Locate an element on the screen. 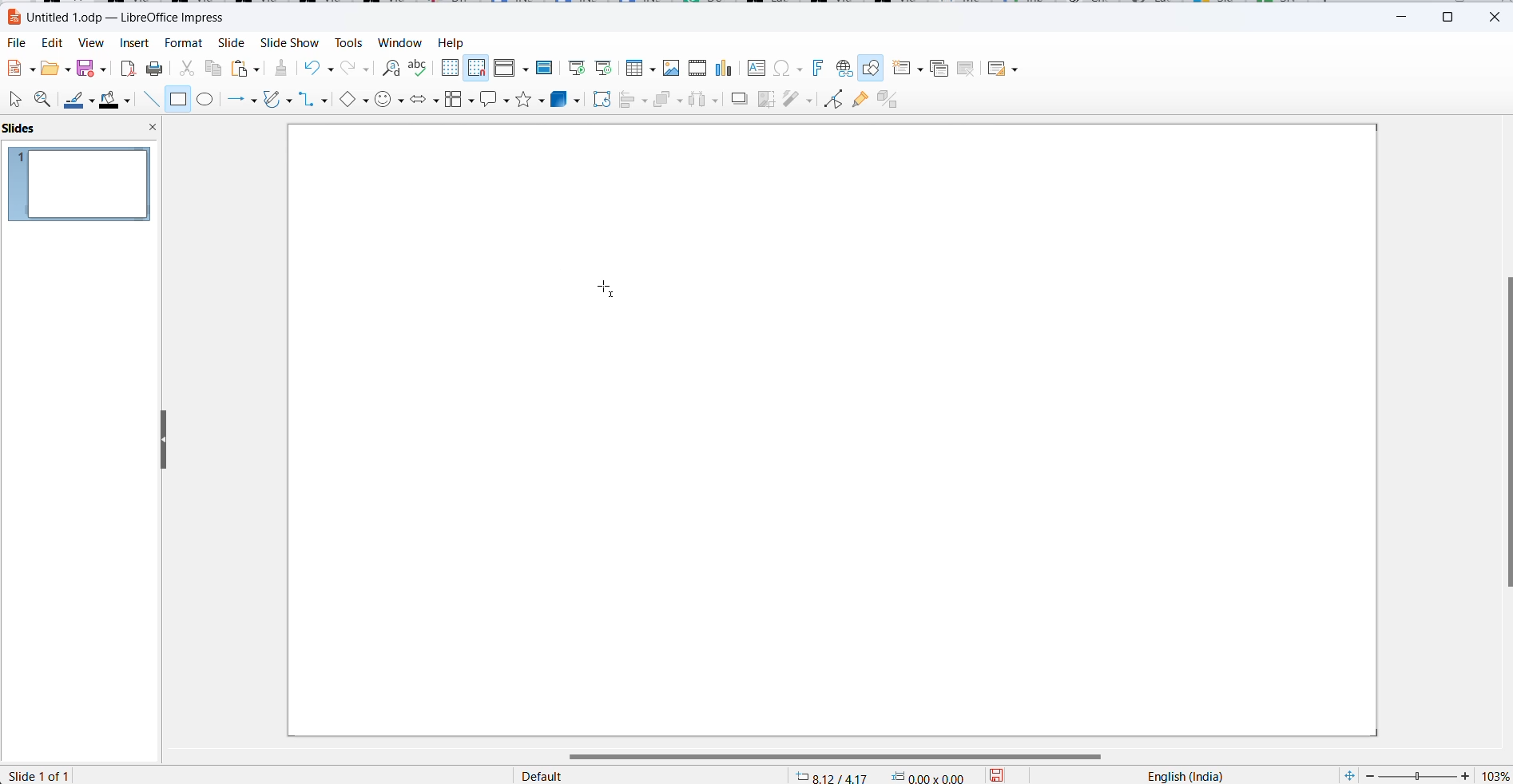  close is located at coordinates (1495, 16).